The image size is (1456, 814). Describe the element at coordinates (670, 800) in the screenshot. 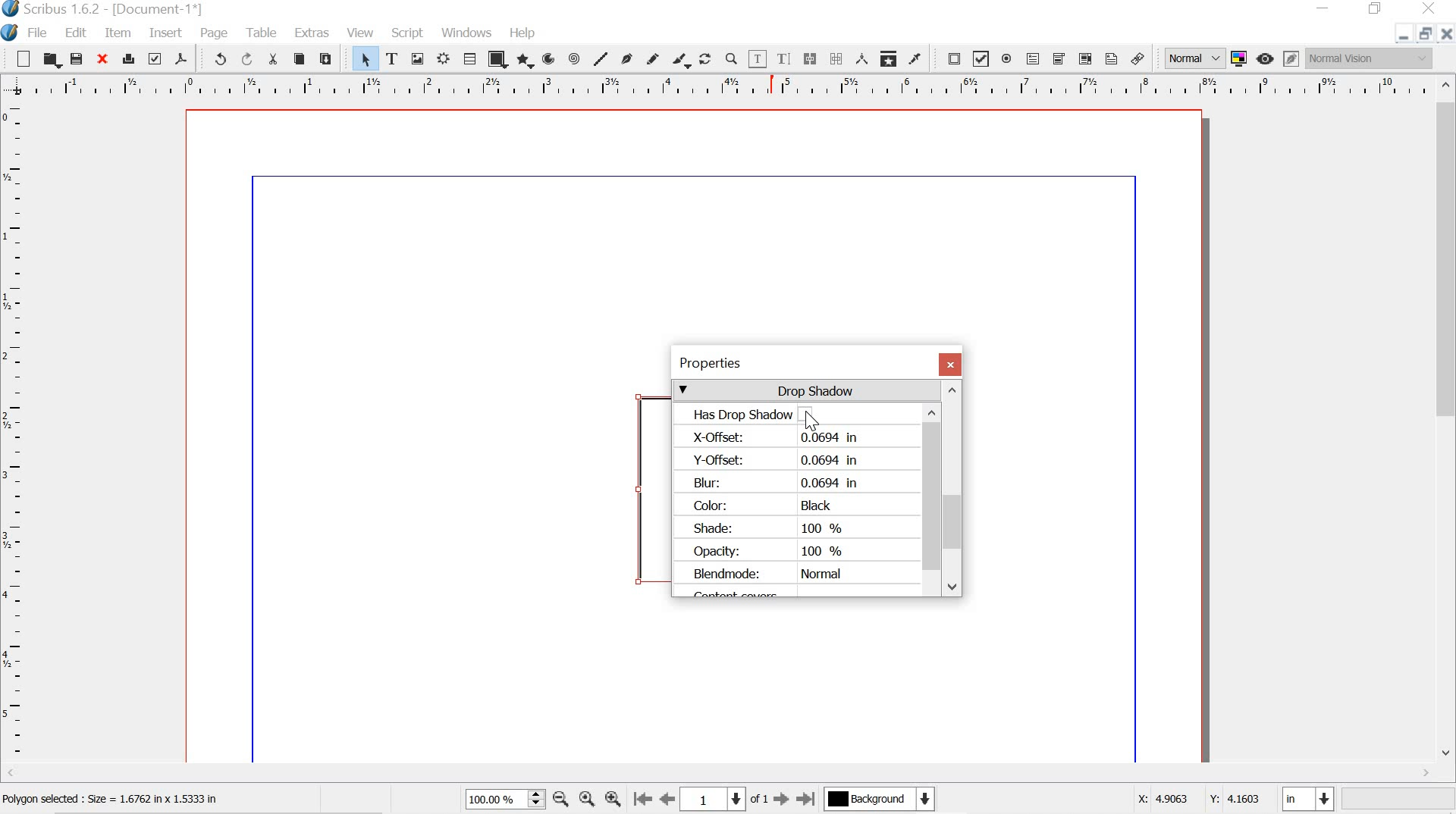

I see `go to the perious page` at that location.